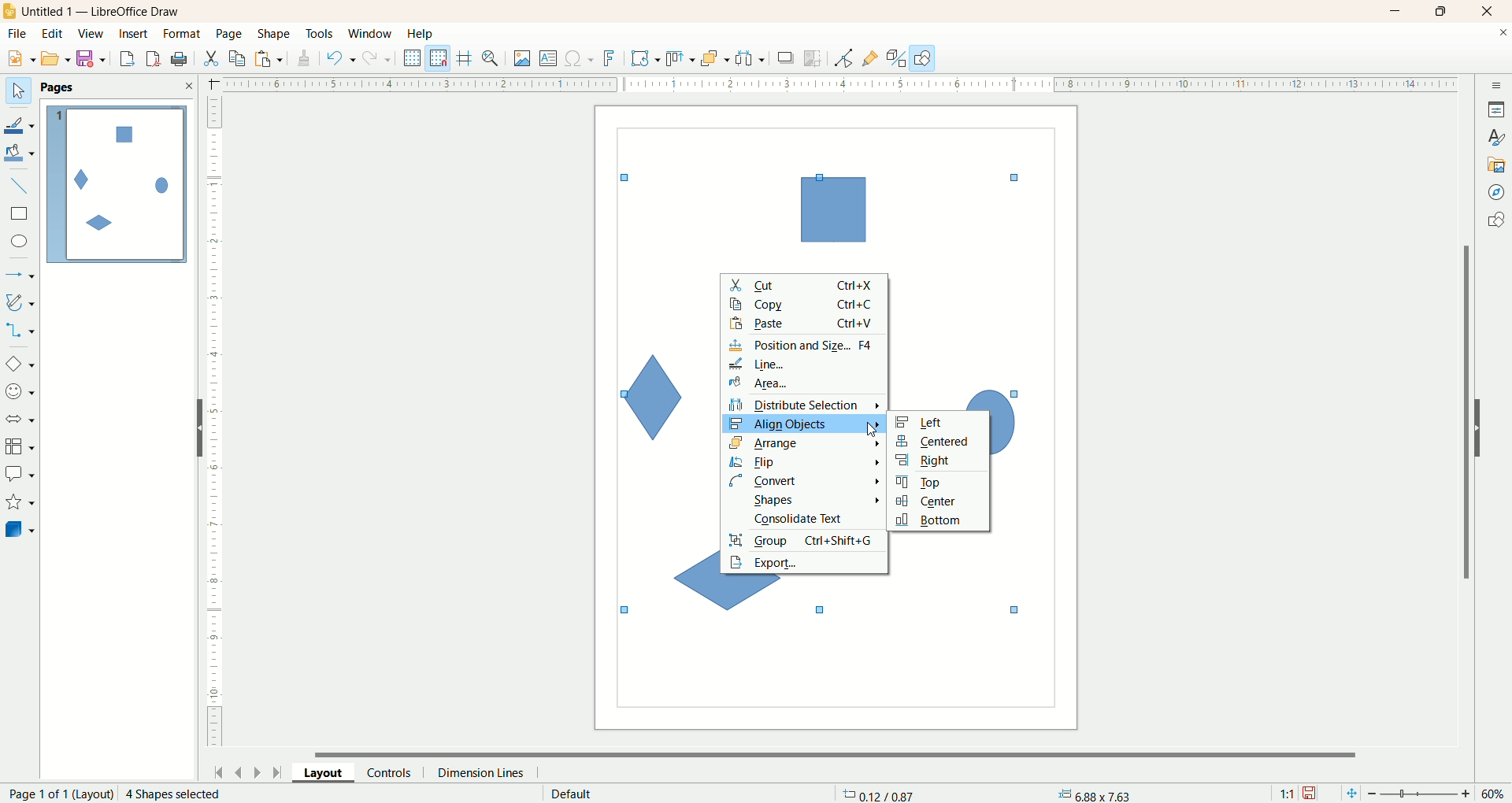 The height and width of the screenshot is (803, 1512). What do you see at coordinates (92, 34) in the screenshot?
I see `view` at bounding box center [92, 34].